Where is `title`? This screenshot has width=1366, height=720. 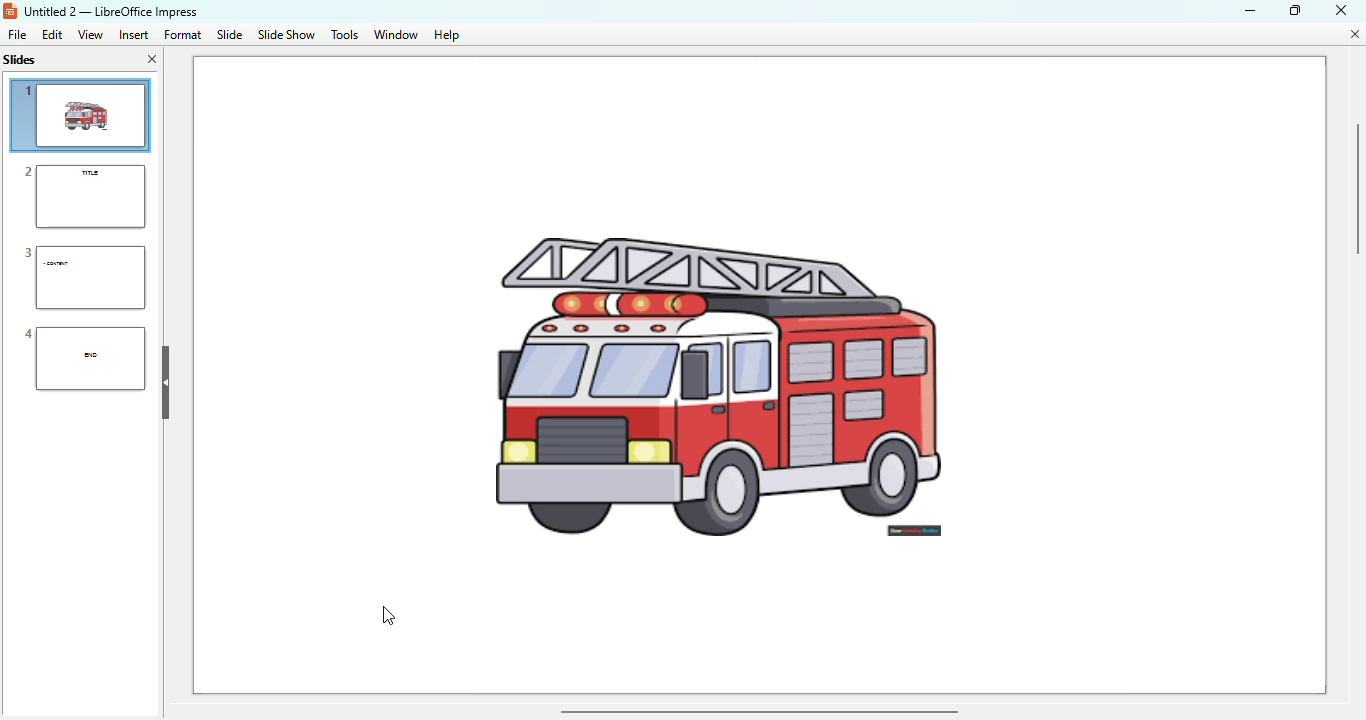
title is located at coordinates (110, 12).